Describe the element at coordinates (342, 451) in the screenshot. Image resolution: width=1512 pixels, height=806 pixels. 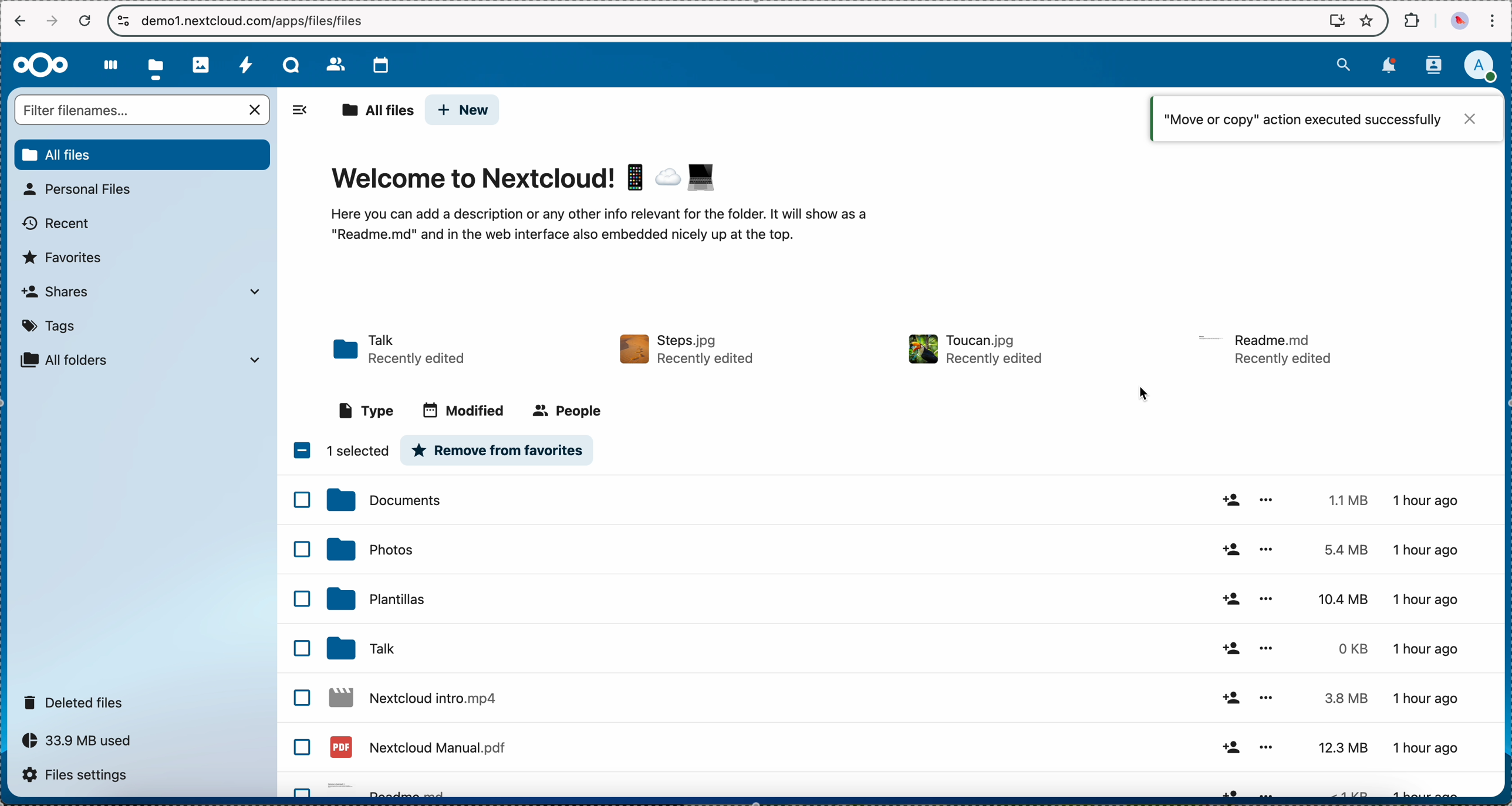
I see `1 item selected` at that location.